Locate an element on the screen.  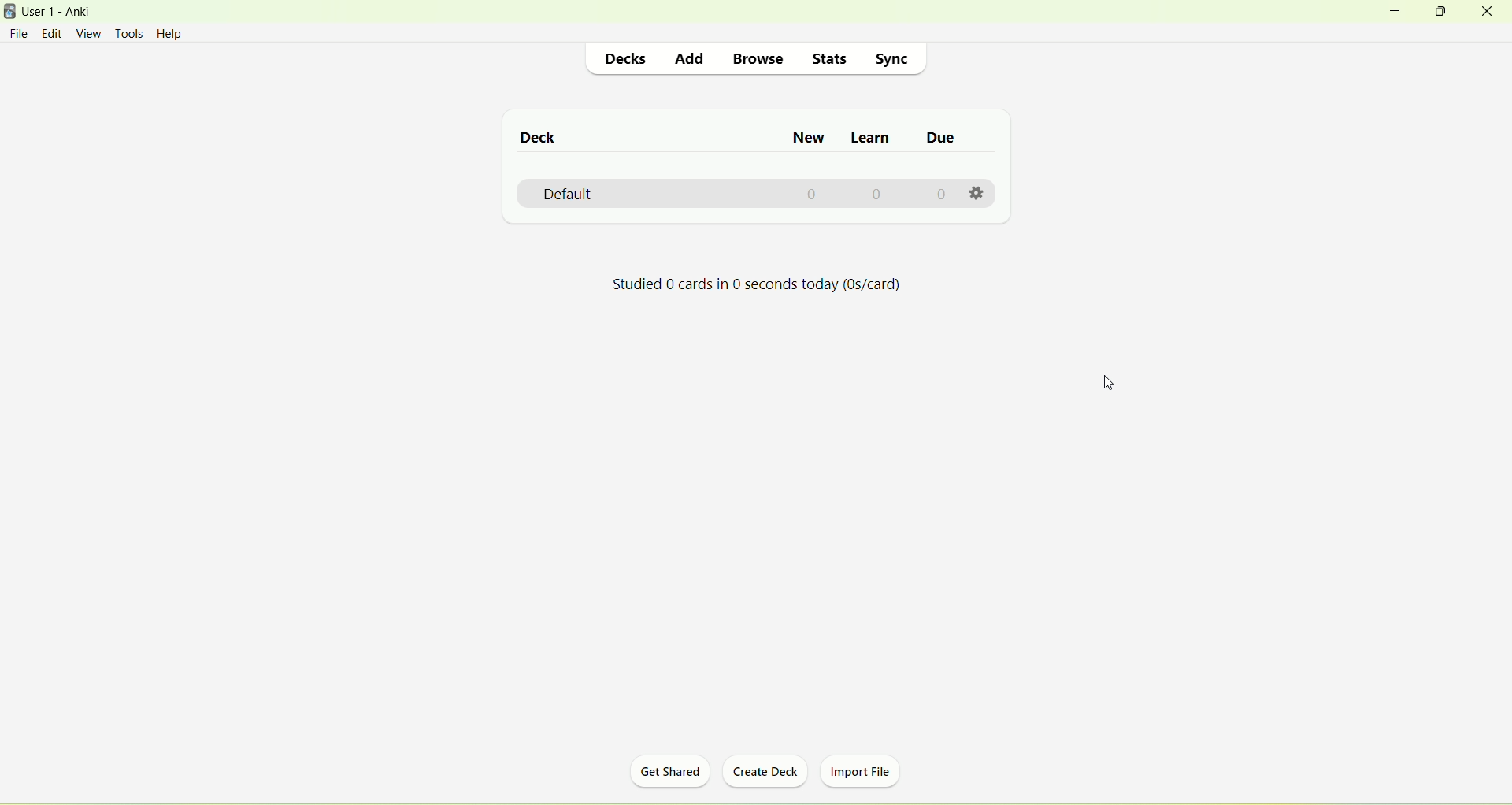
tools is located at coordinates (128, 35).